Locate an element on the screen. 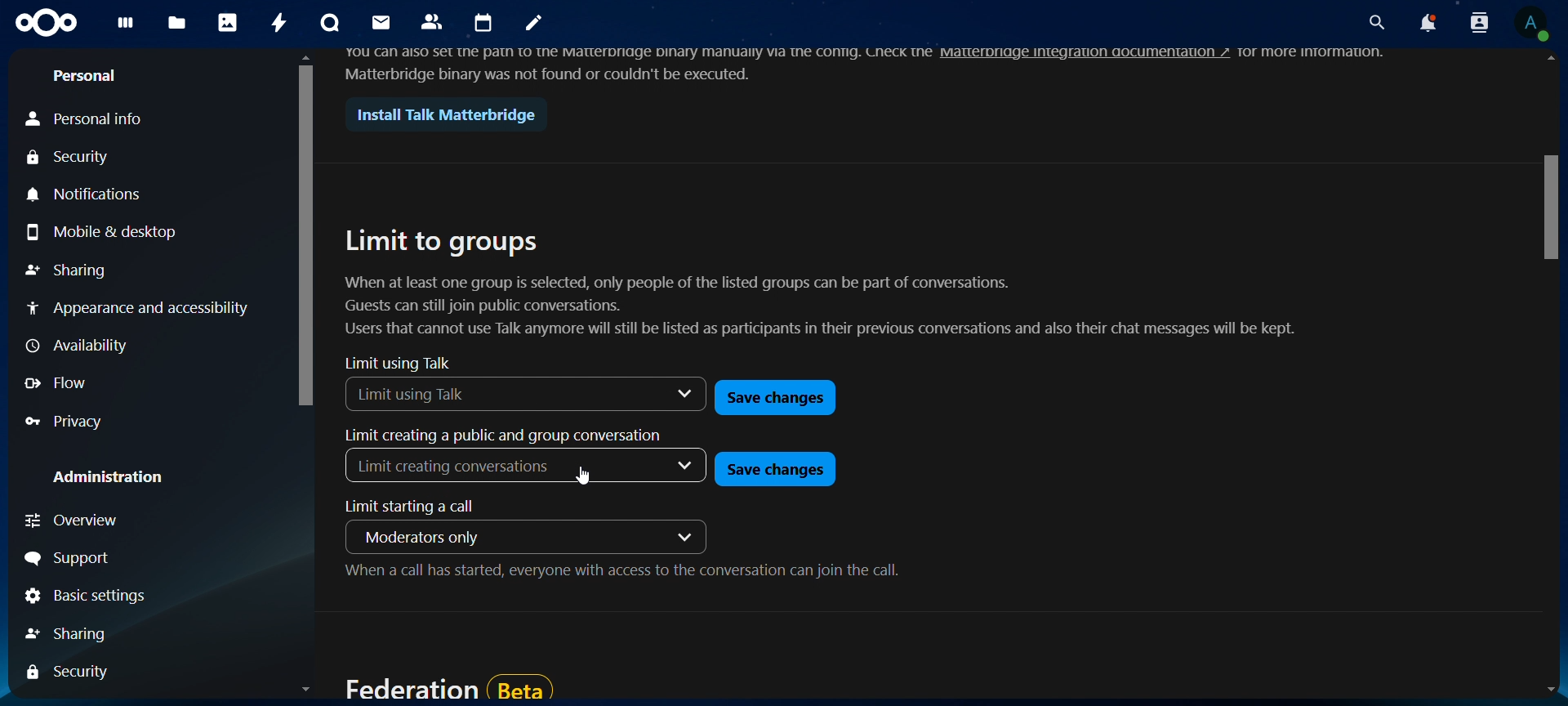 This screenshot has height=706, width=1568. federation beta is located at coordinates (445, 683).